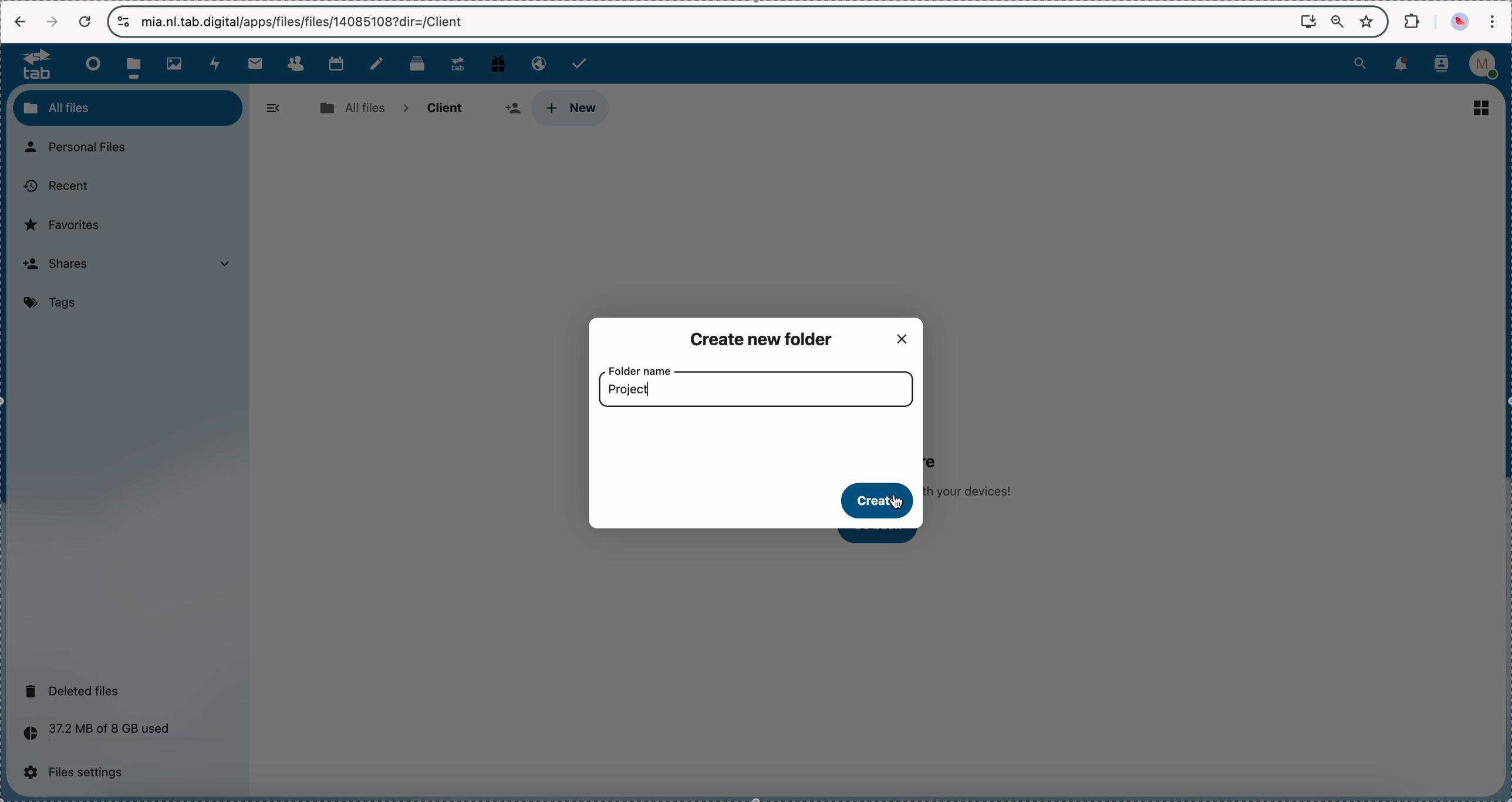  Describe the element at coordinates (1308, 21) in the screenshot. I see `screen` at that location.